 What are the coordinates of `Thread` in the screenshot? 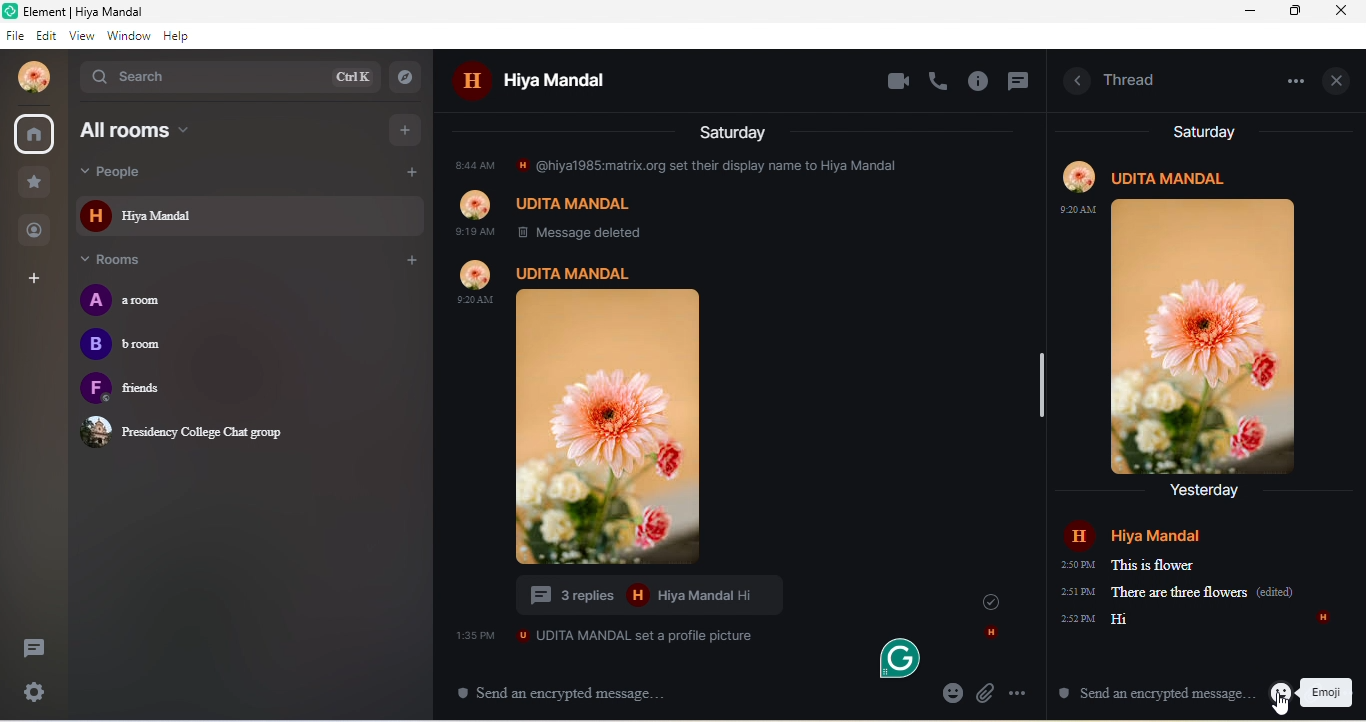 It's located at (1130, 81).